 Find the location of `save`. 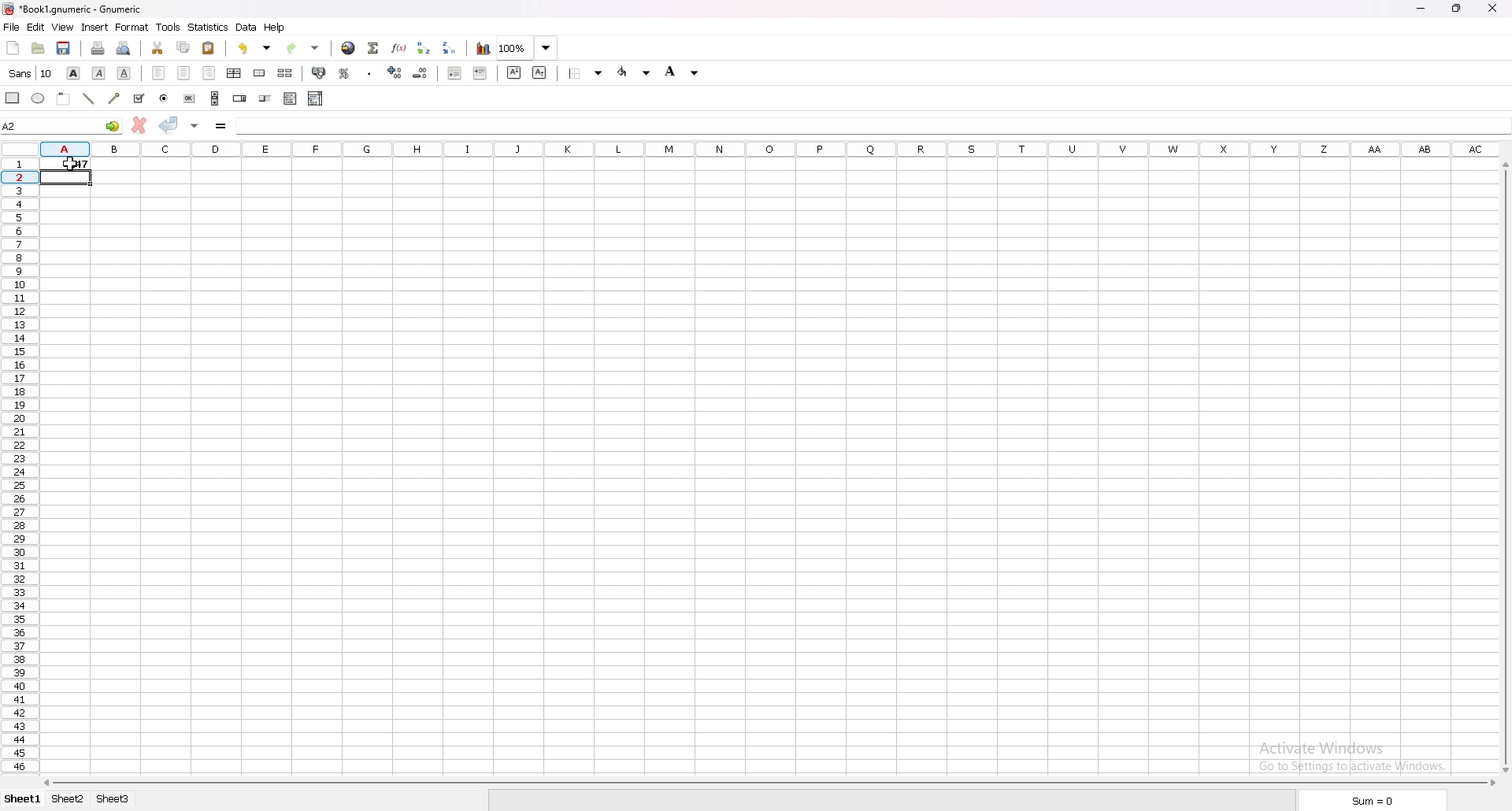

save is located at coordinates (64, 48).